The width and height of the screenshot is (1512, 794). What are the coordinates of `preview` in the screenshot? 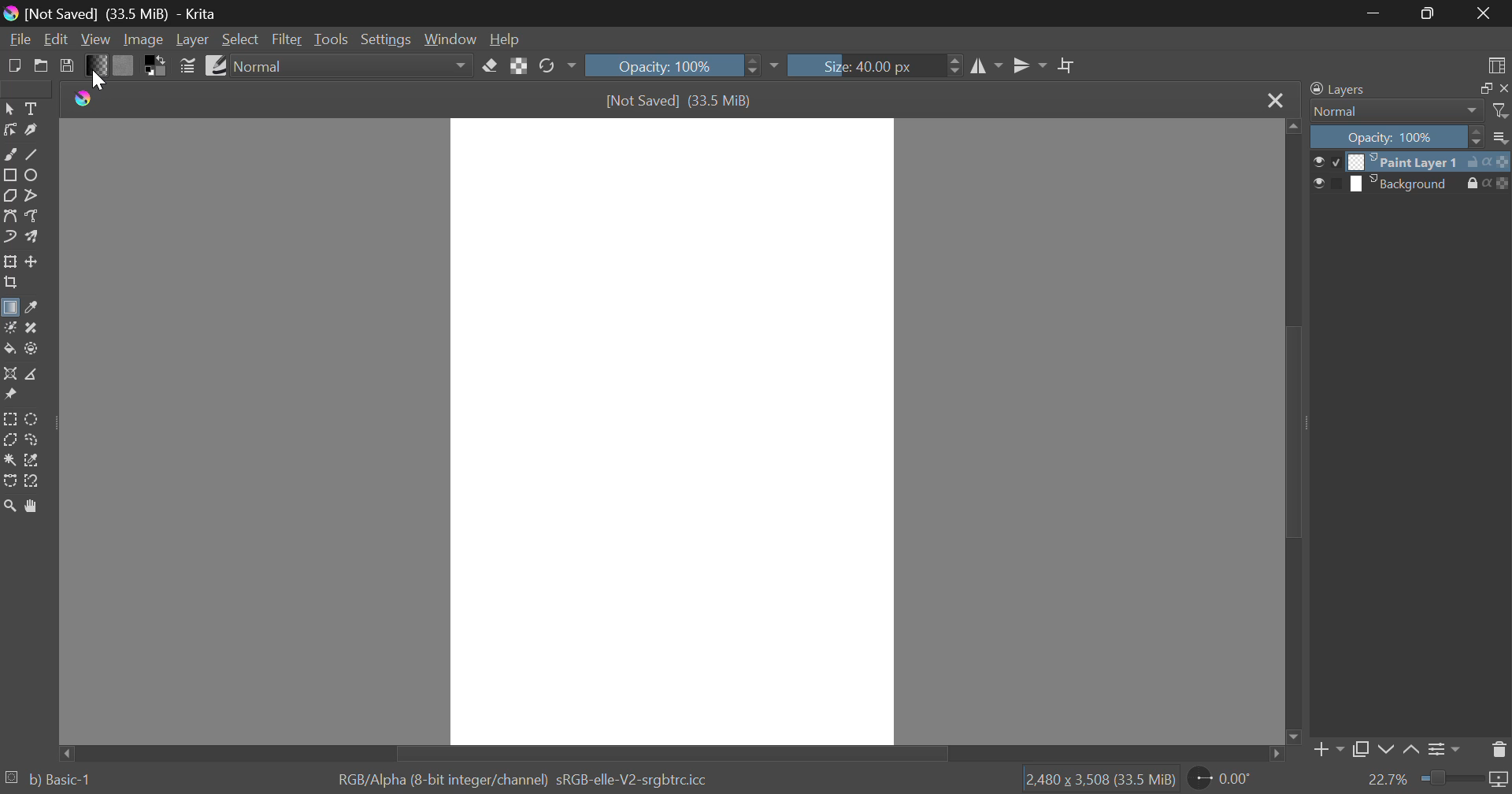 It's located at (1327, 184).